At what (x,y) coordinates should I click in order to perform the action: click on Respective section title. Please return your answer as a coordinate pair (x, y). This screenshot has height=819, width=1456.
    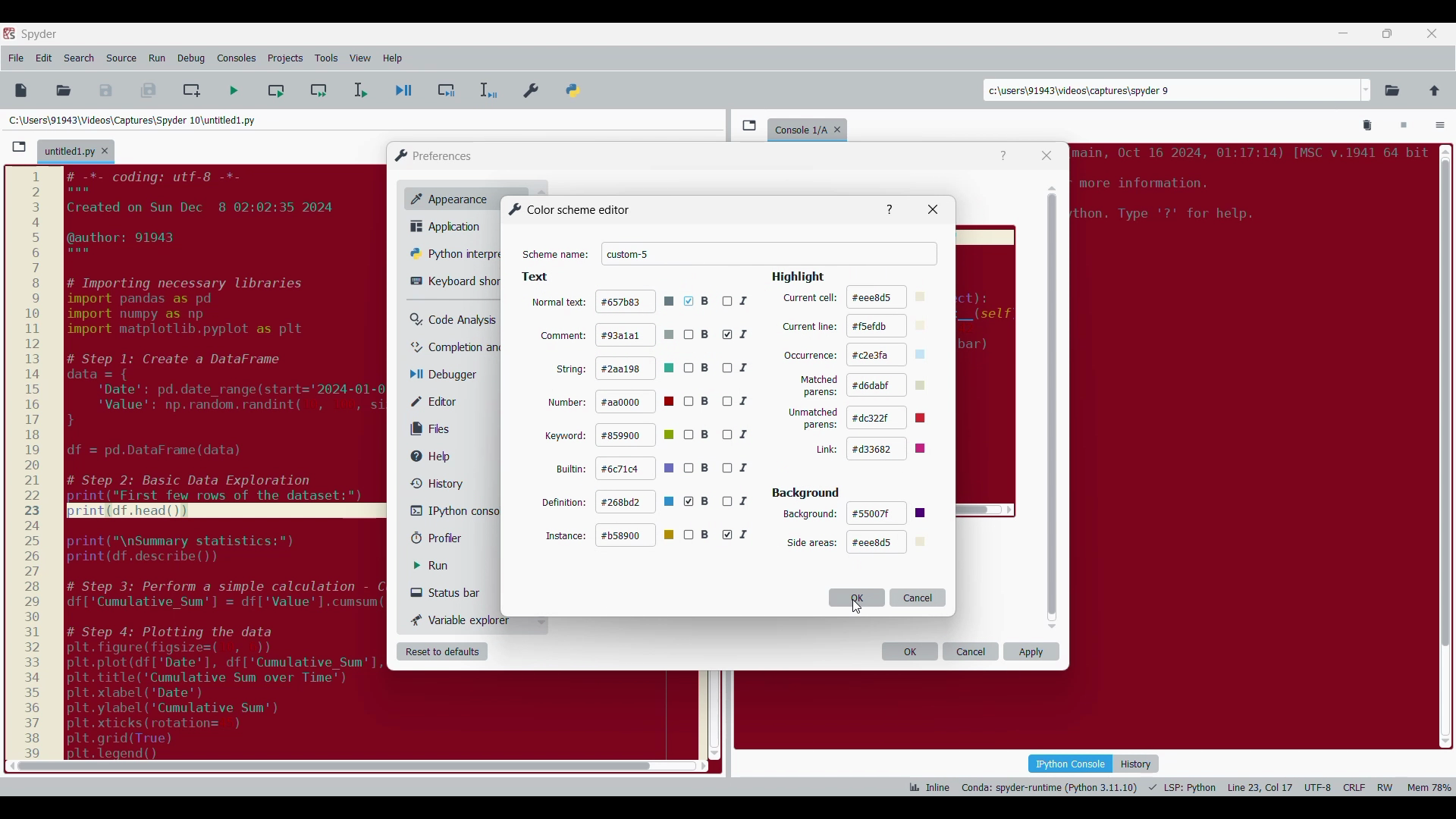
    Looking at the image, I should click on (675, 278).